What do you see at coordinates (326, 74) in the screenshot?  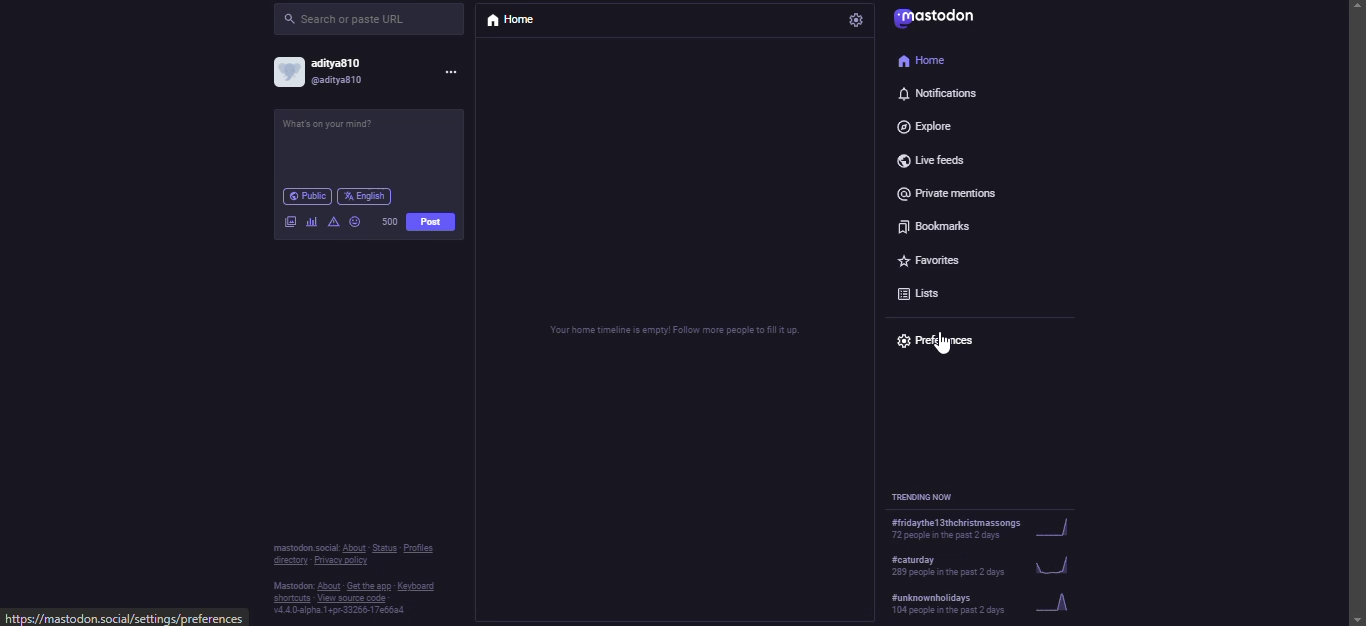 I see `account` at bounding box center [326, 74].